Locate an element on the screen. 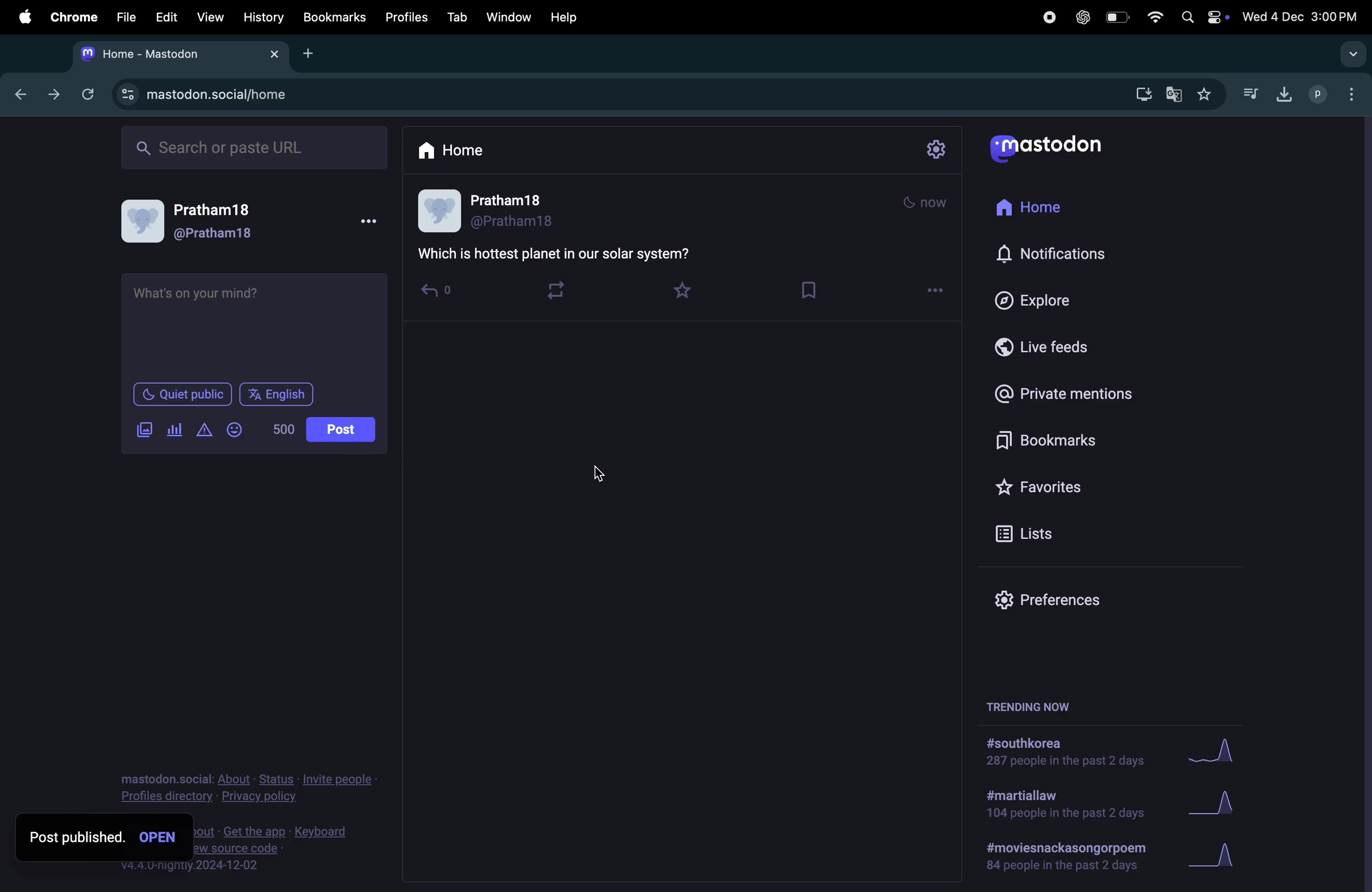  Graph is located at coordinates (1234, 798).